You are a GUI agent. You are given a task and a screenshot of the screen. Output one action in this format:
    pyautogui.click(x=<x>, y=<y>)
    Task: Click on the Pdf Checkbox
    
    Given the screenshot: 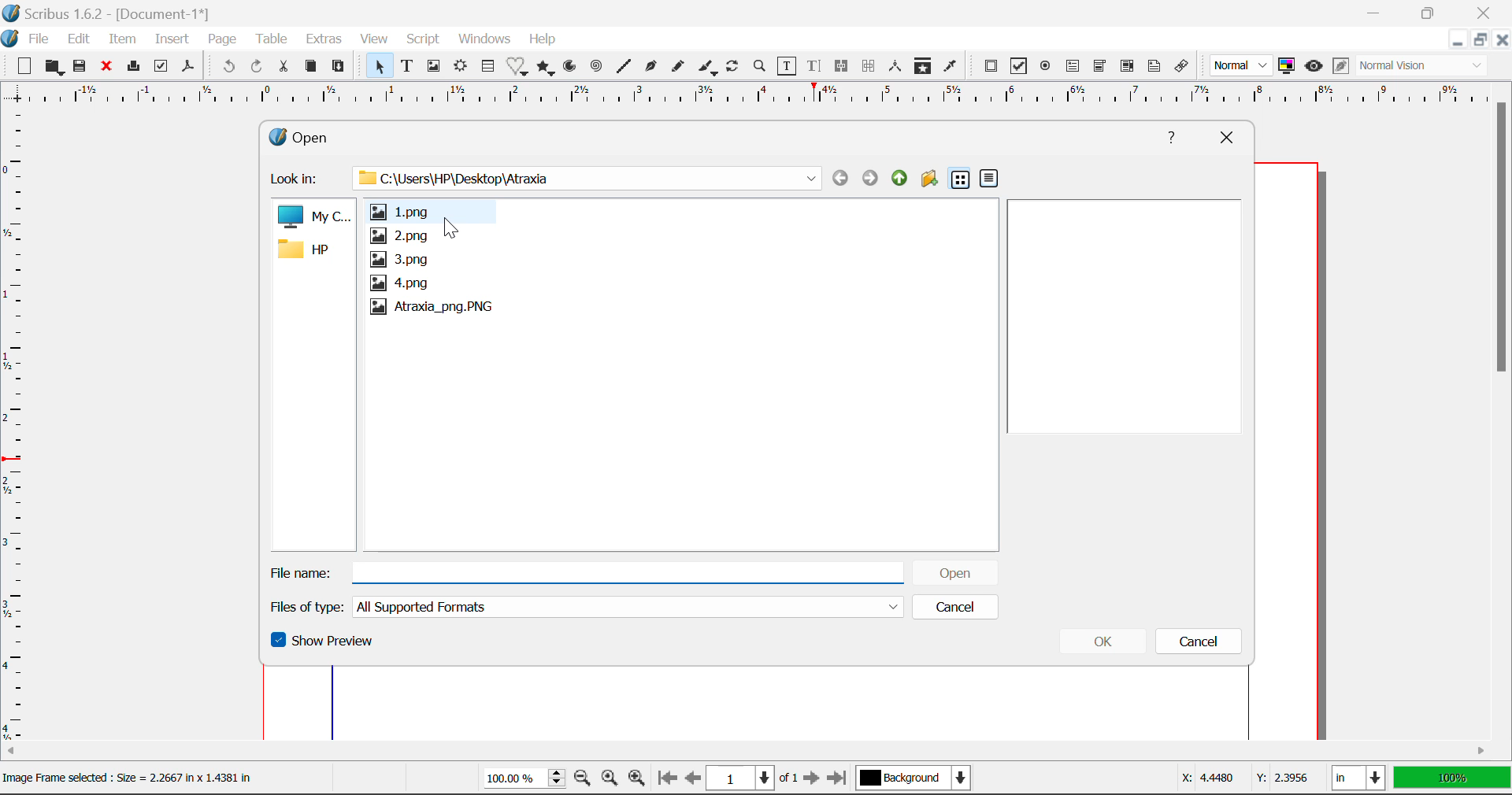 What is the action you would take?
    pyautogui.click(x=1021, y=68)
    